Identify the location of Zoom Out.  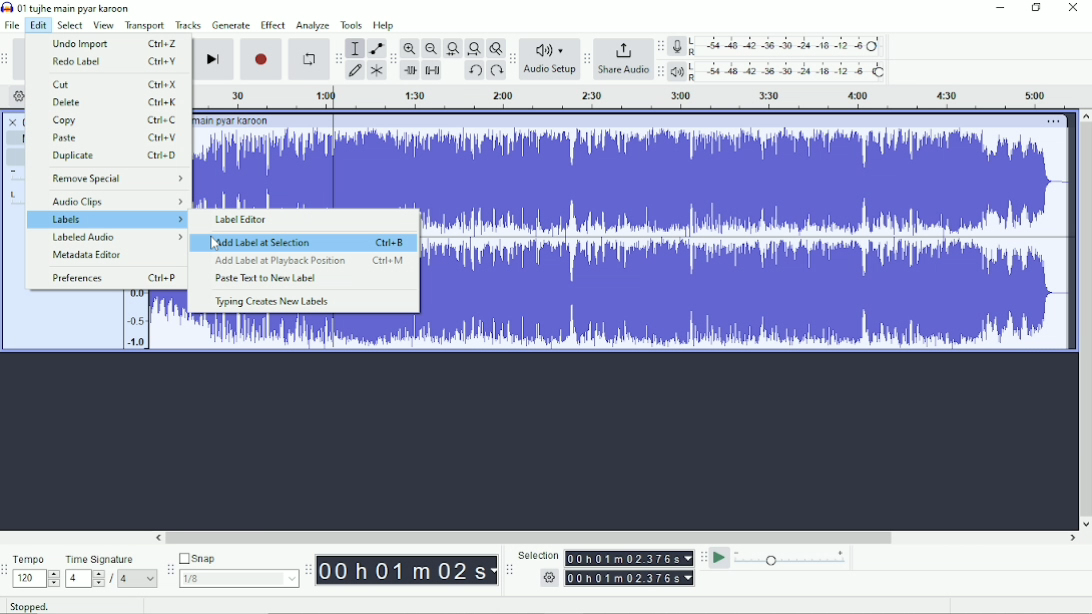
(430, 48).